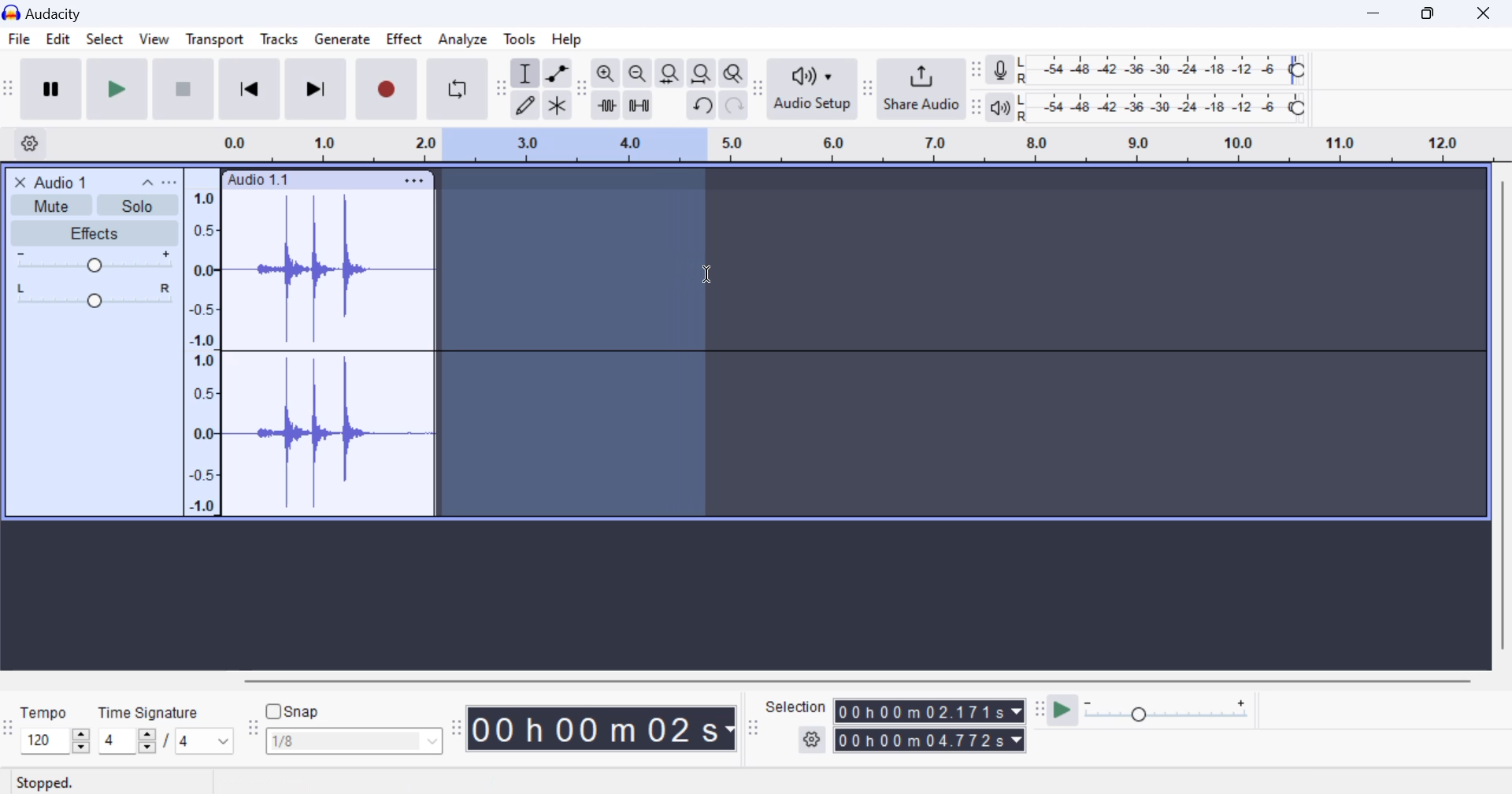  What do you see at coordinates (91, 262) in the screenshot?
I see `Volume` at bounding box center [91, 262].